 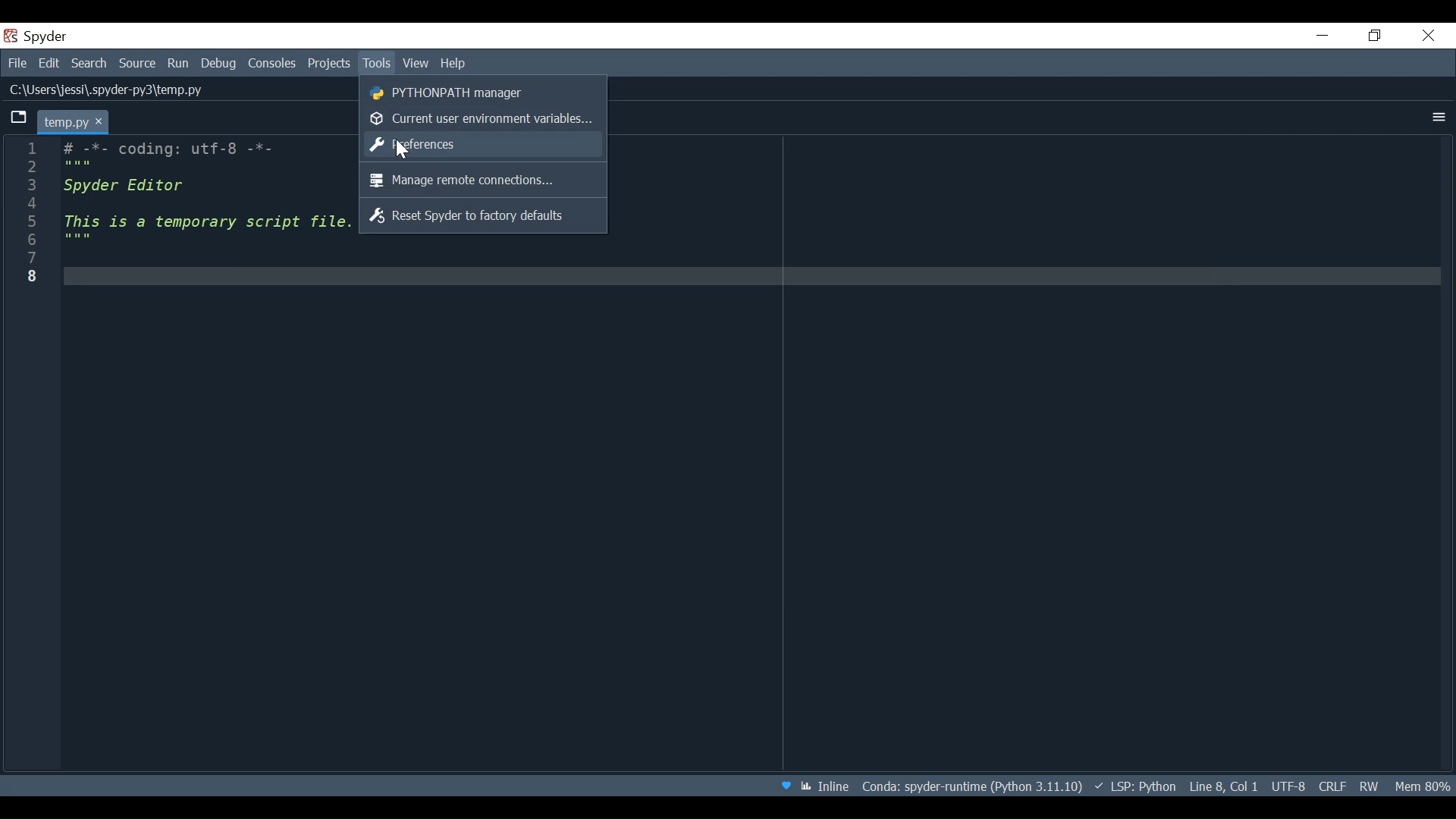 What do you see at coordinates (1420, 785) in the screenshot?
I see `Memory Usage` at bounding box center [1420, 785].